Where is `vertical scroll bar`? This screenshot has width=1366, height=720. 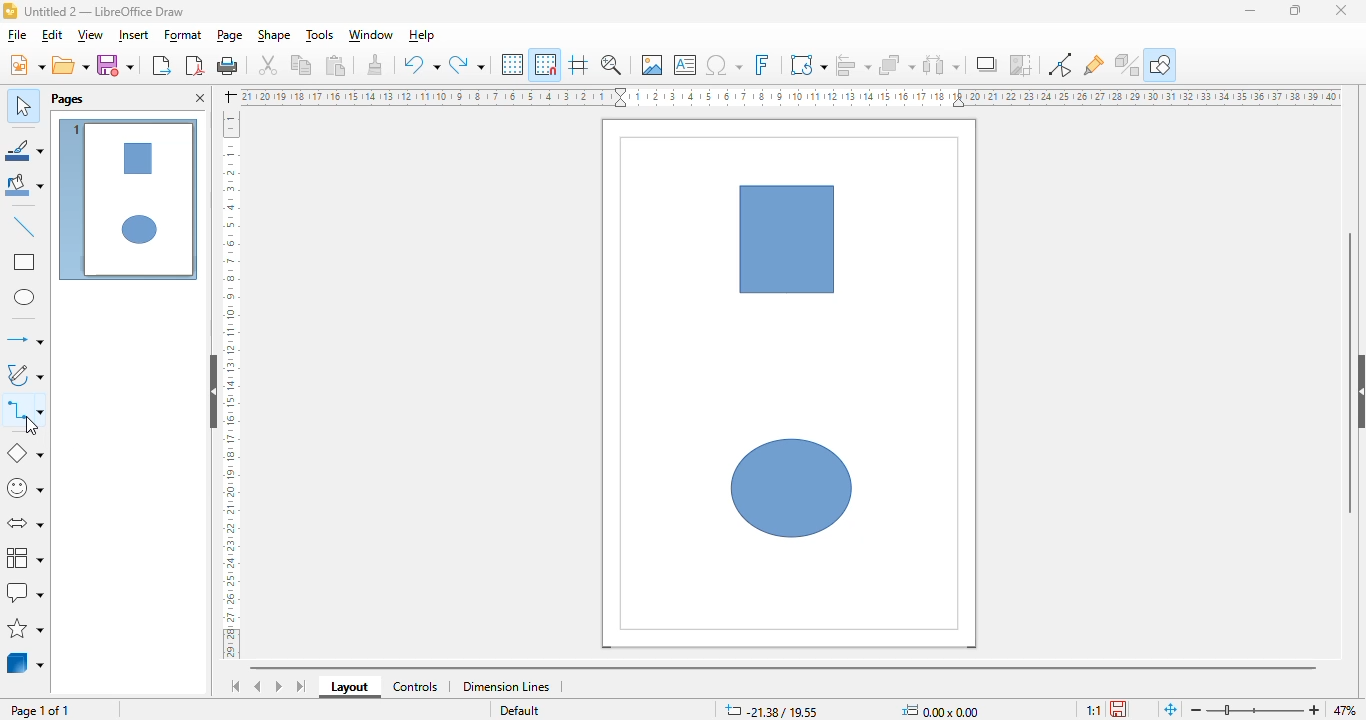 vertical scroll bar is located at coordinates (1351, 373).